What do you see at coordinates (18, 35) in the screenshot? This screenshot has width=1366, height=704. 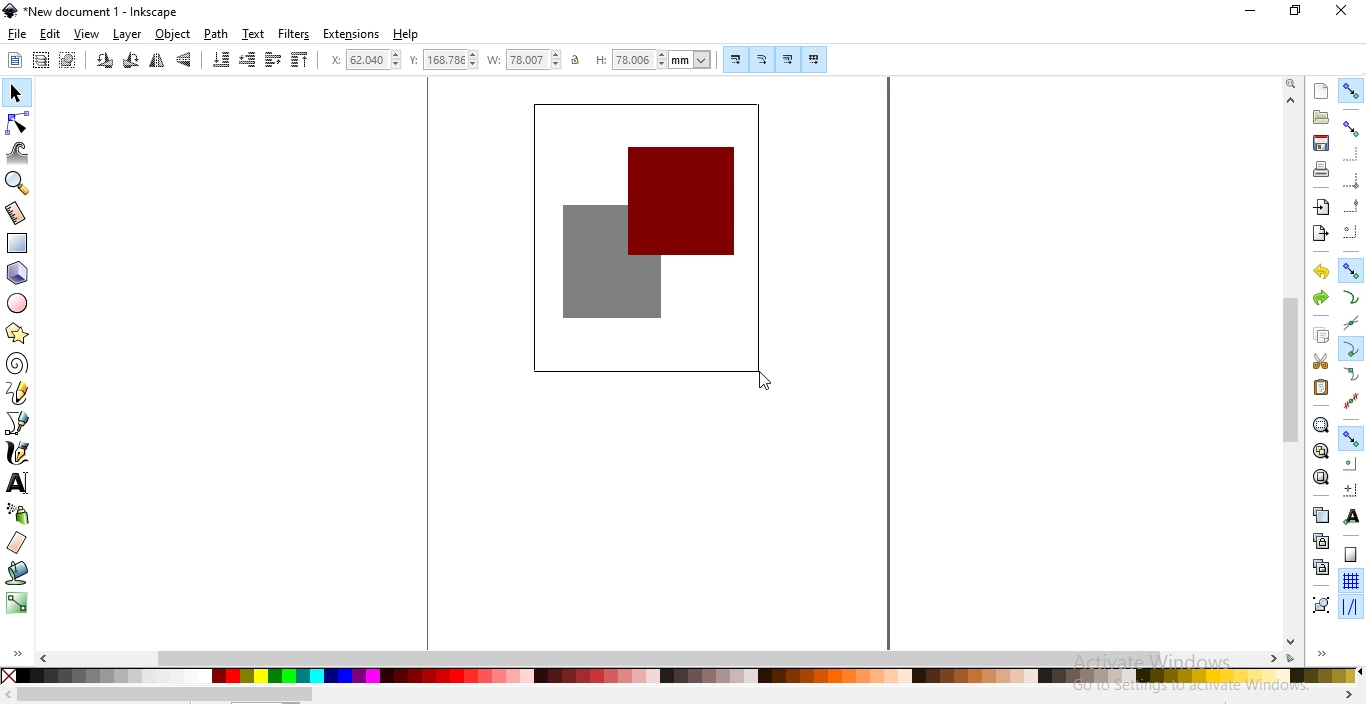 I see `file` at bounding box center [18, 35].